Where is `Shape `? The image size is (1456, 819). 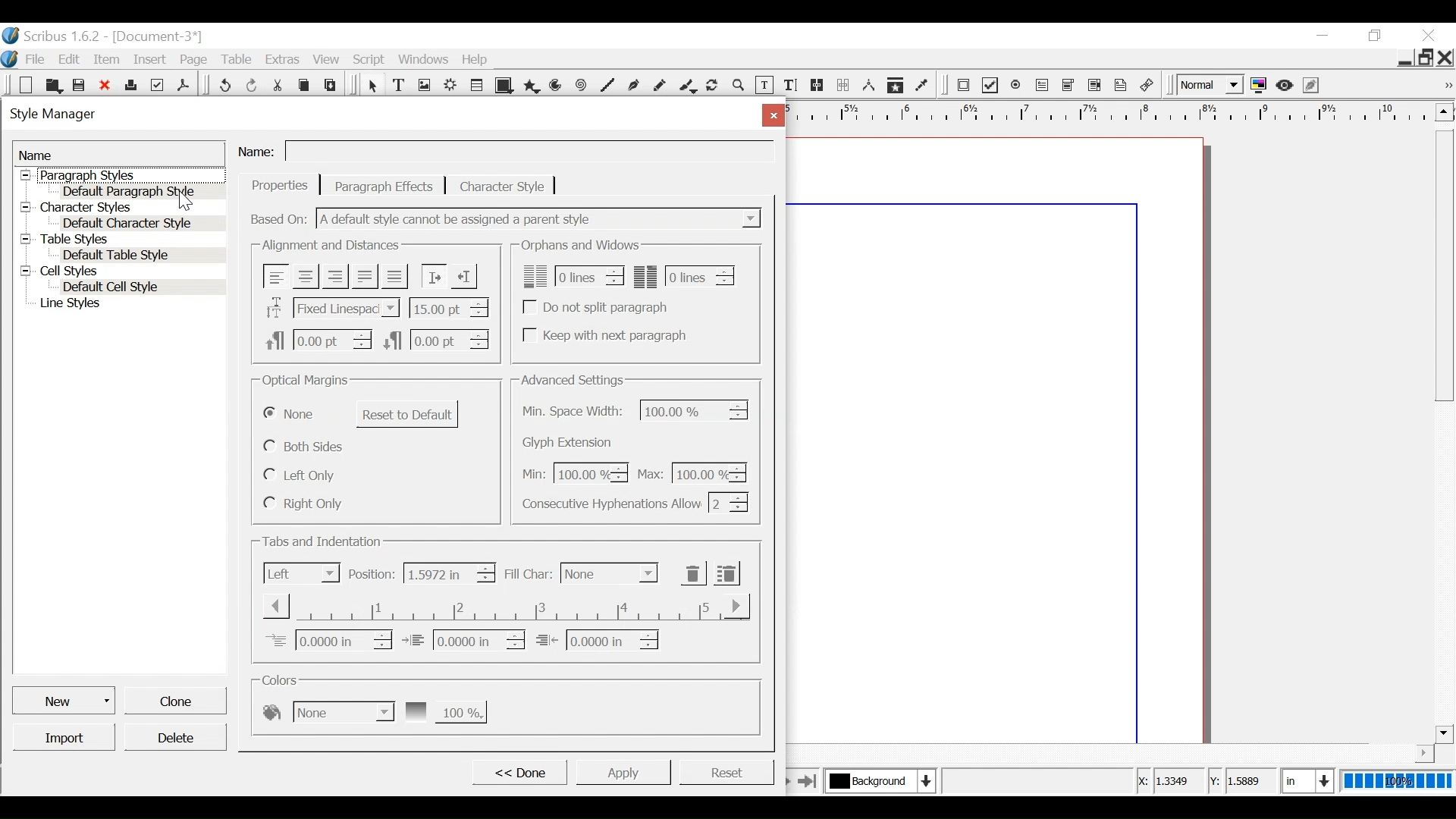 Shape  is located at coordinates (506, 86).